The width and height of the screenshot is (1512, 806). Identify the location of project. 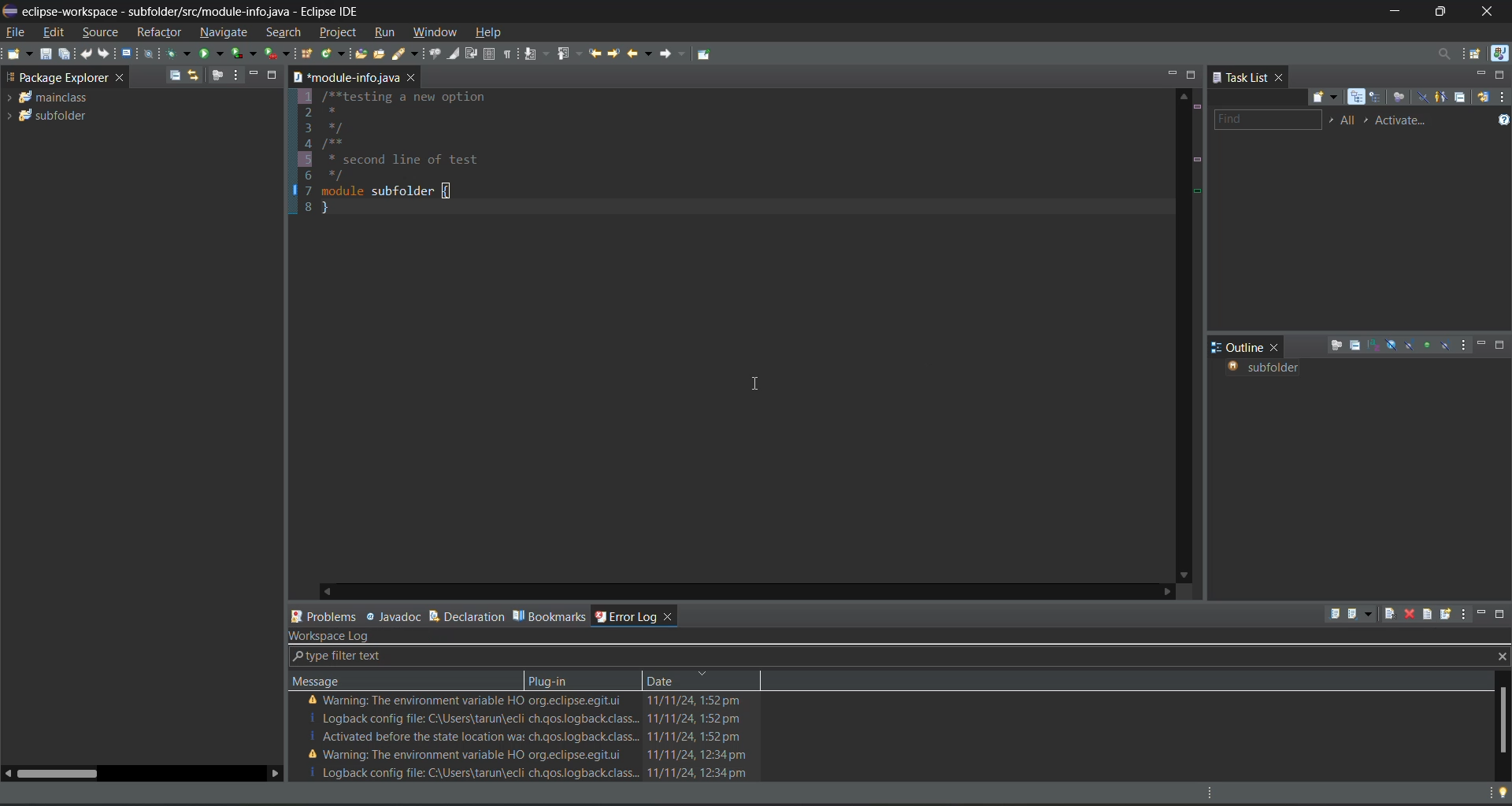
(339, 31).